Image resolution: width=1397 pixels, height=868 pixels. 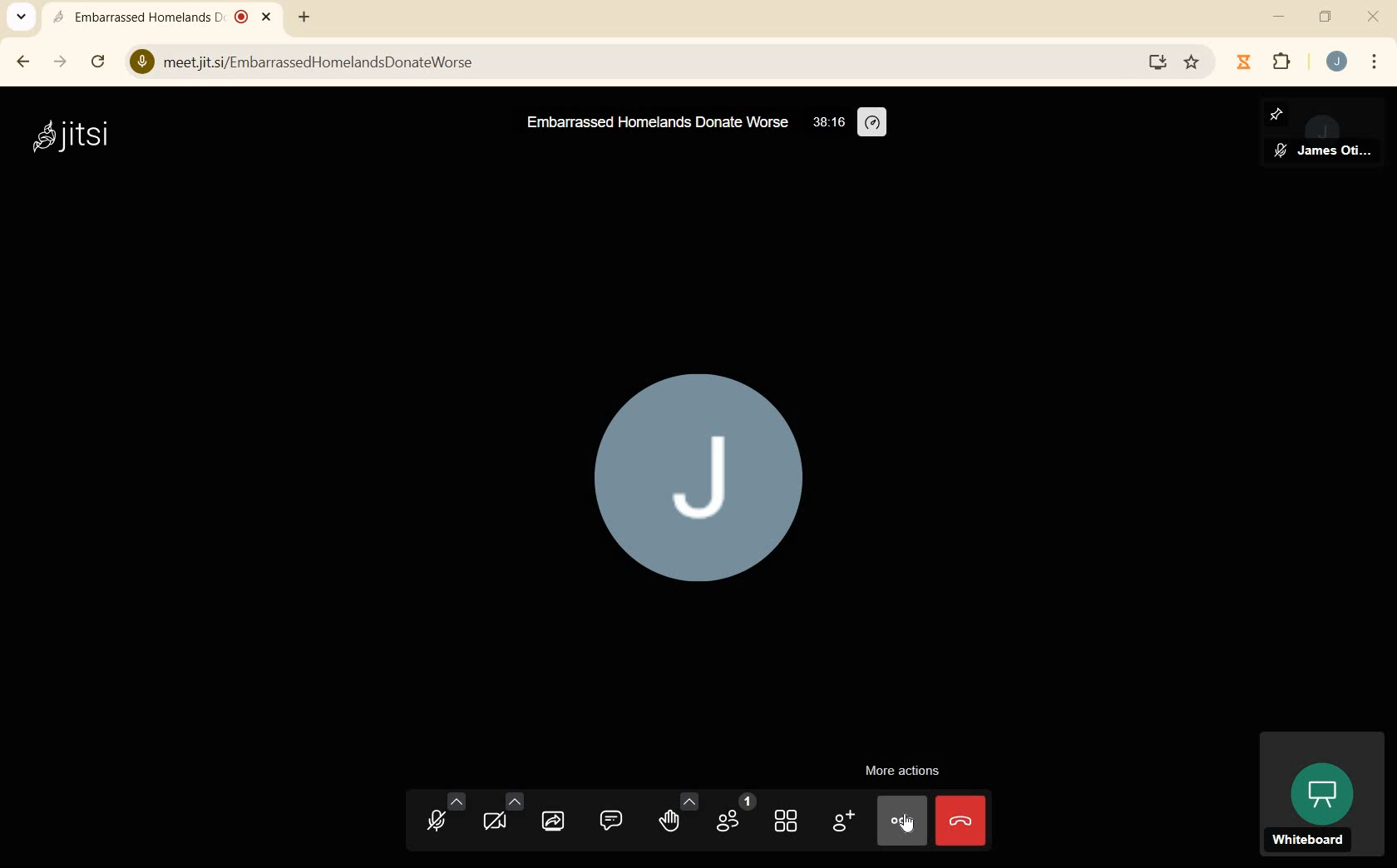 I want to click on invite people, so click(x=844, y=821).